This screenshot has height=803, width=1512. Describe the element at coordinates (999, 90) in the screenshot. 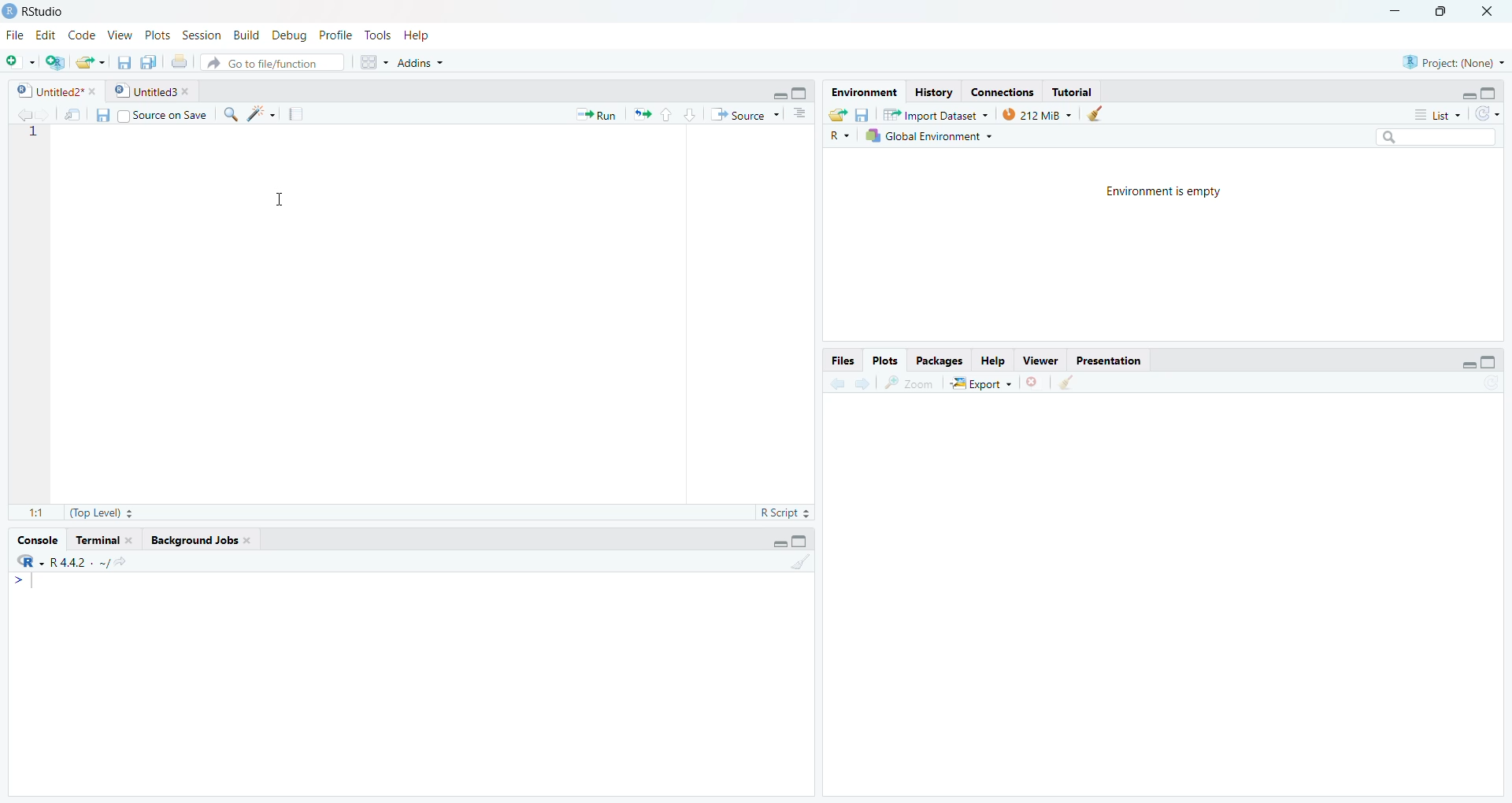

I see `connections` at that location.